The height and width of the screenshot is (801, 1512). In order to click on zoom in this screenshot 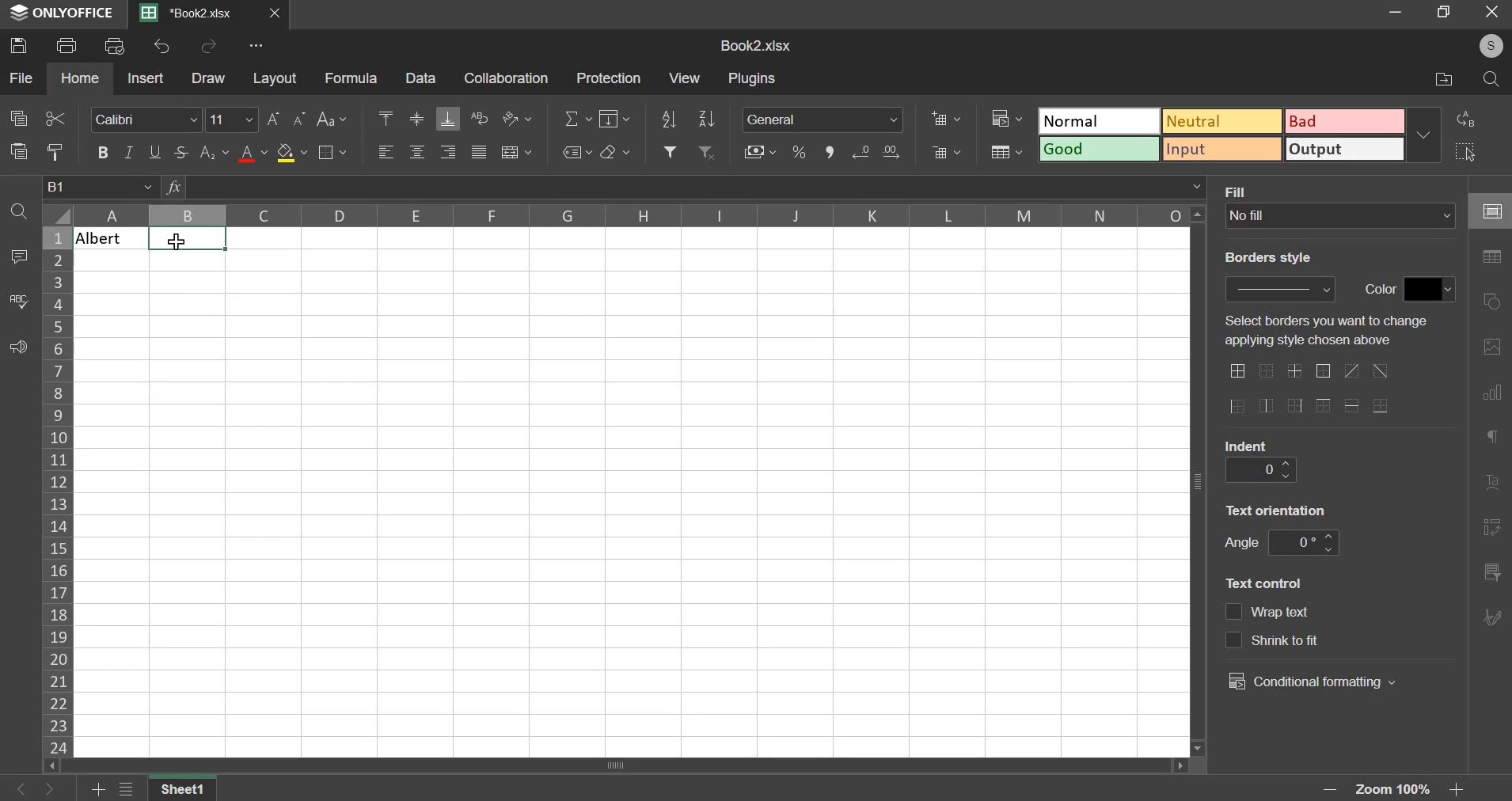, I will do `click(1398, 788)`.